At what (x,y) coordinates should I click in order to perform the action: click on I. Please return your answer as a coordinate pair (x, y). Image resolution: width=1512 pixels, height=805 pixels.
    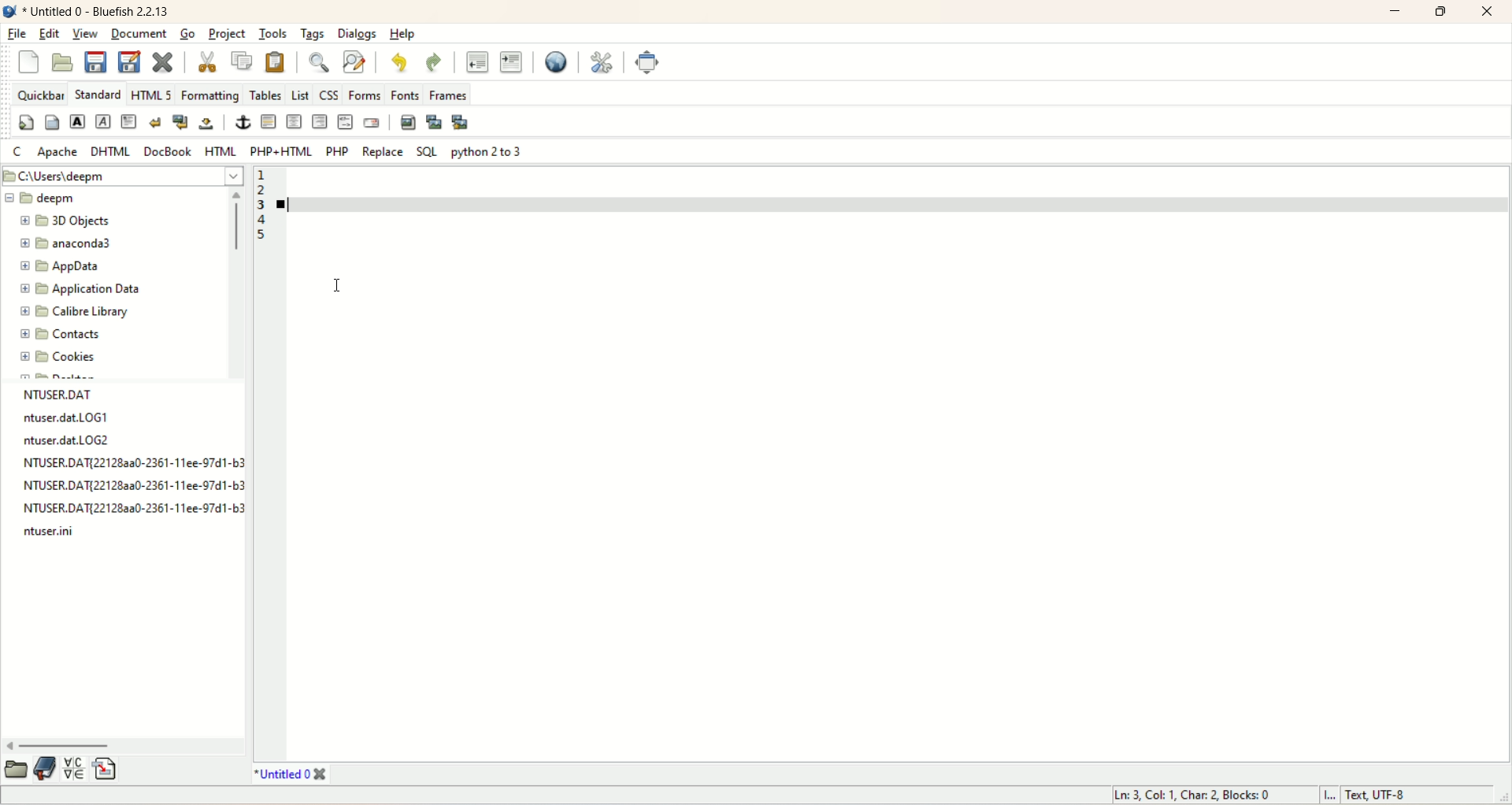
    Looking at the image, I should click on (1325, 796).